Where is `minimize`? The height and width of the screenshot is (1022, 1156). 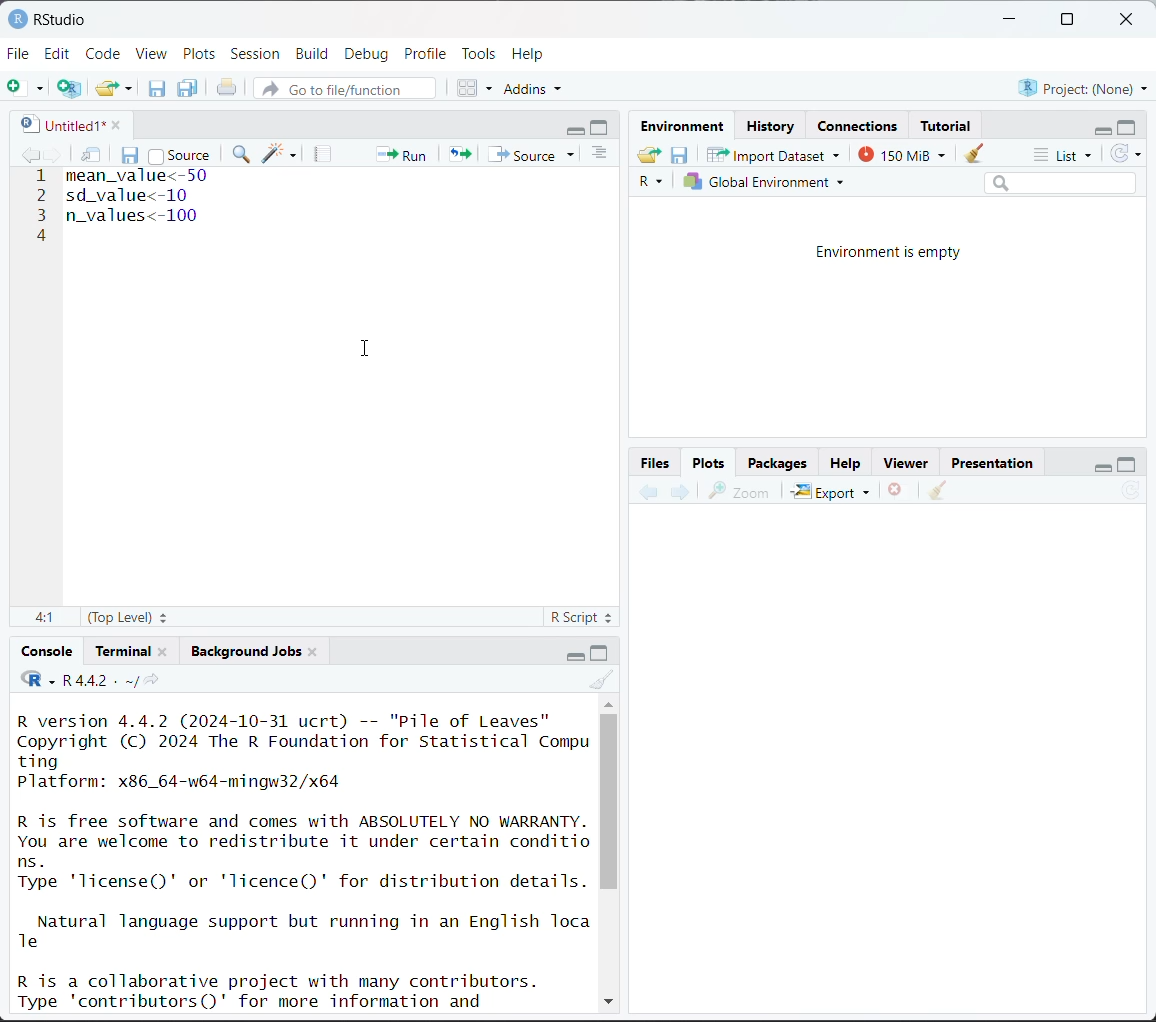
minimize is located at coordinates (571, 654).